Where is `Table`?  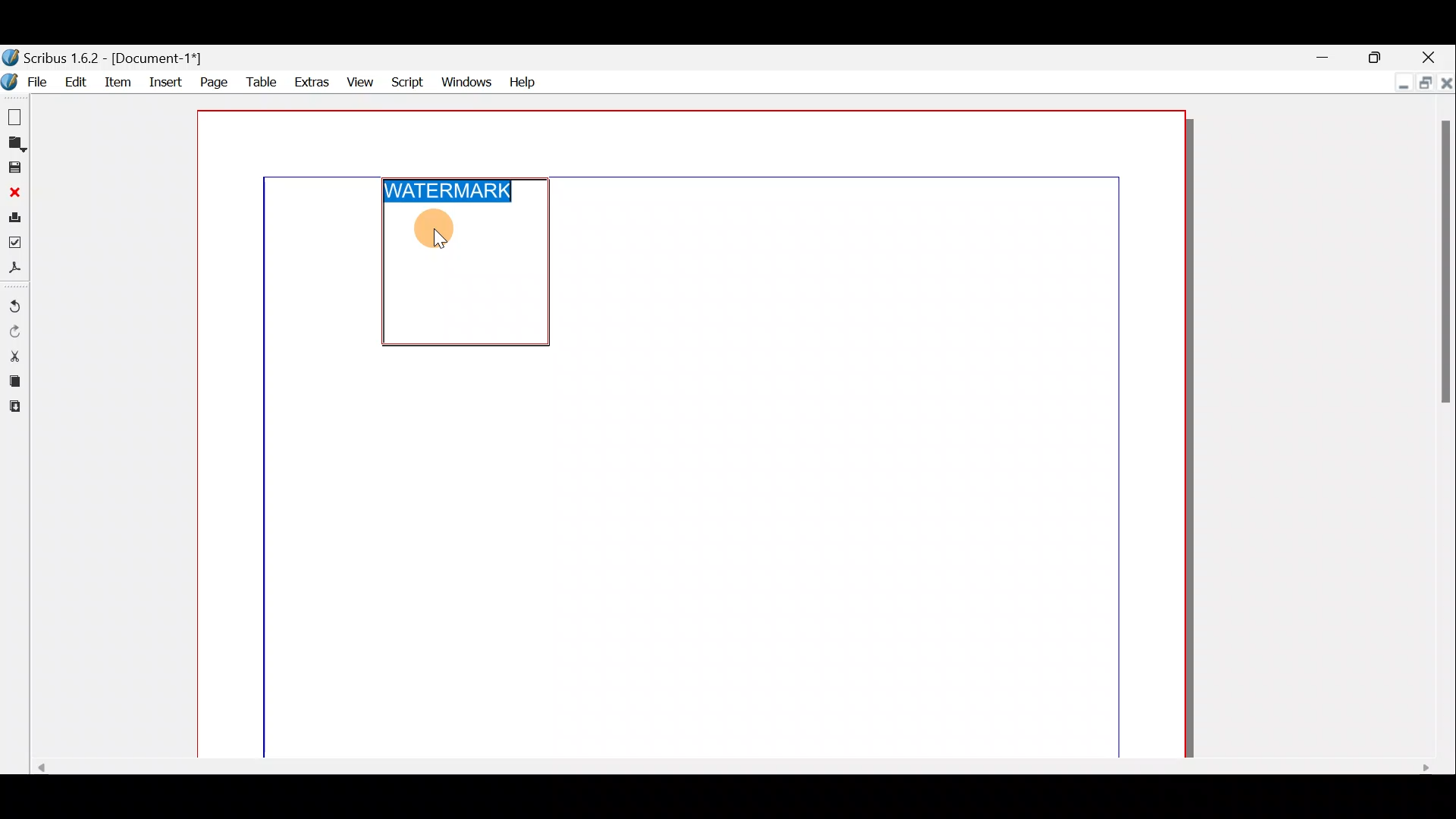
Table is located at coordinates (260, 83).